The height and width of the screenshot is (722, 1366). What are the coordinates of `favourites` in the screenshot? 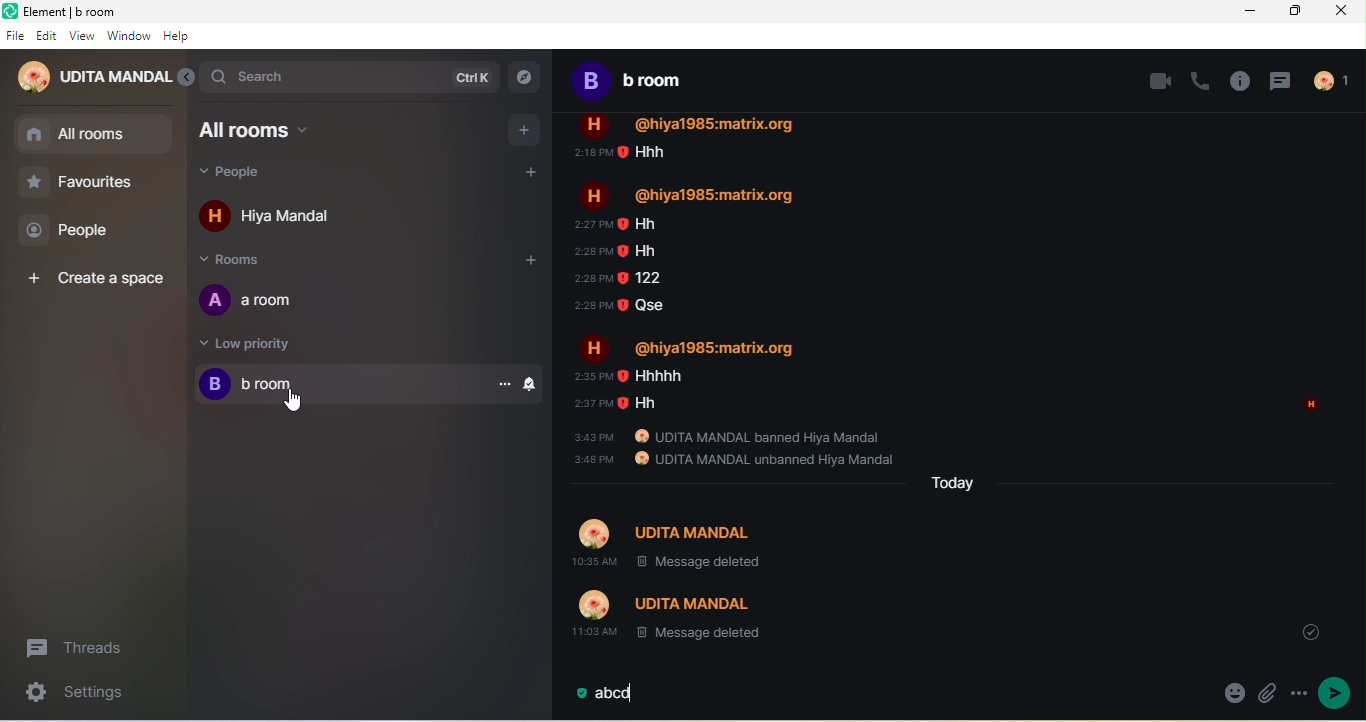 It's located at (82, 186).